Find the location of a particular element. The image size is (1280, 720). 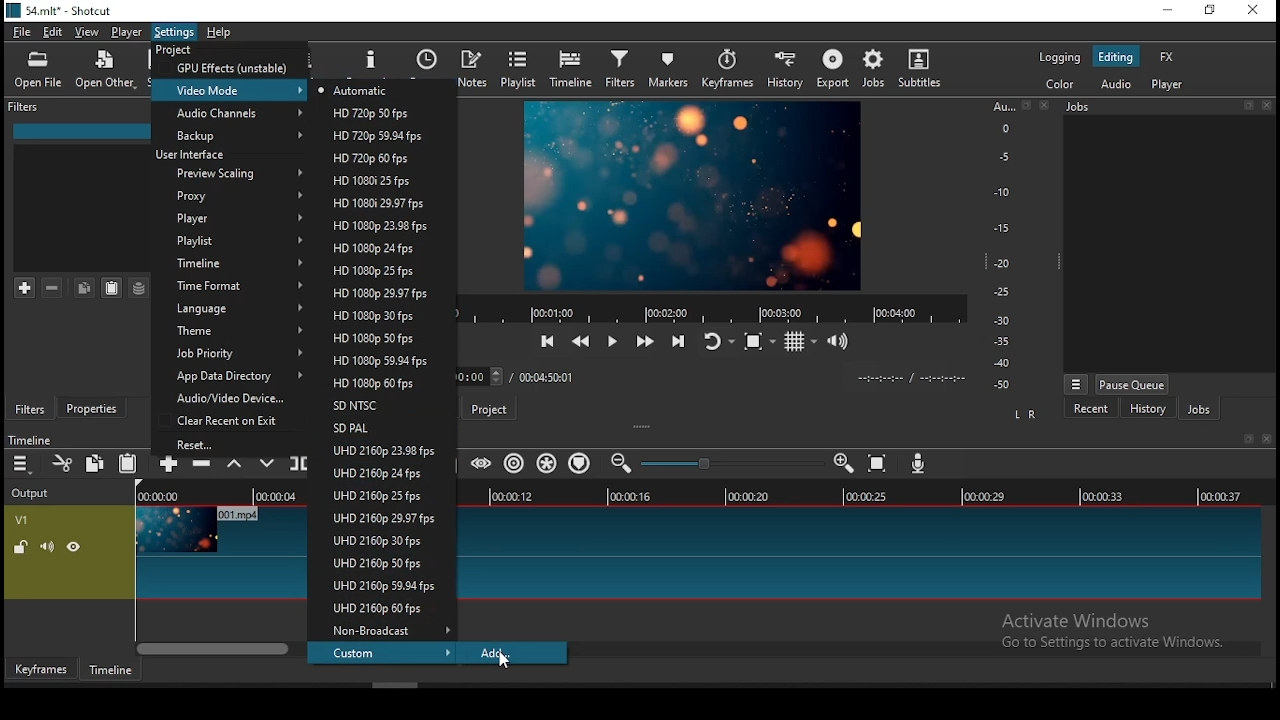

play quickly backwards is located at coordinates (582, 338).